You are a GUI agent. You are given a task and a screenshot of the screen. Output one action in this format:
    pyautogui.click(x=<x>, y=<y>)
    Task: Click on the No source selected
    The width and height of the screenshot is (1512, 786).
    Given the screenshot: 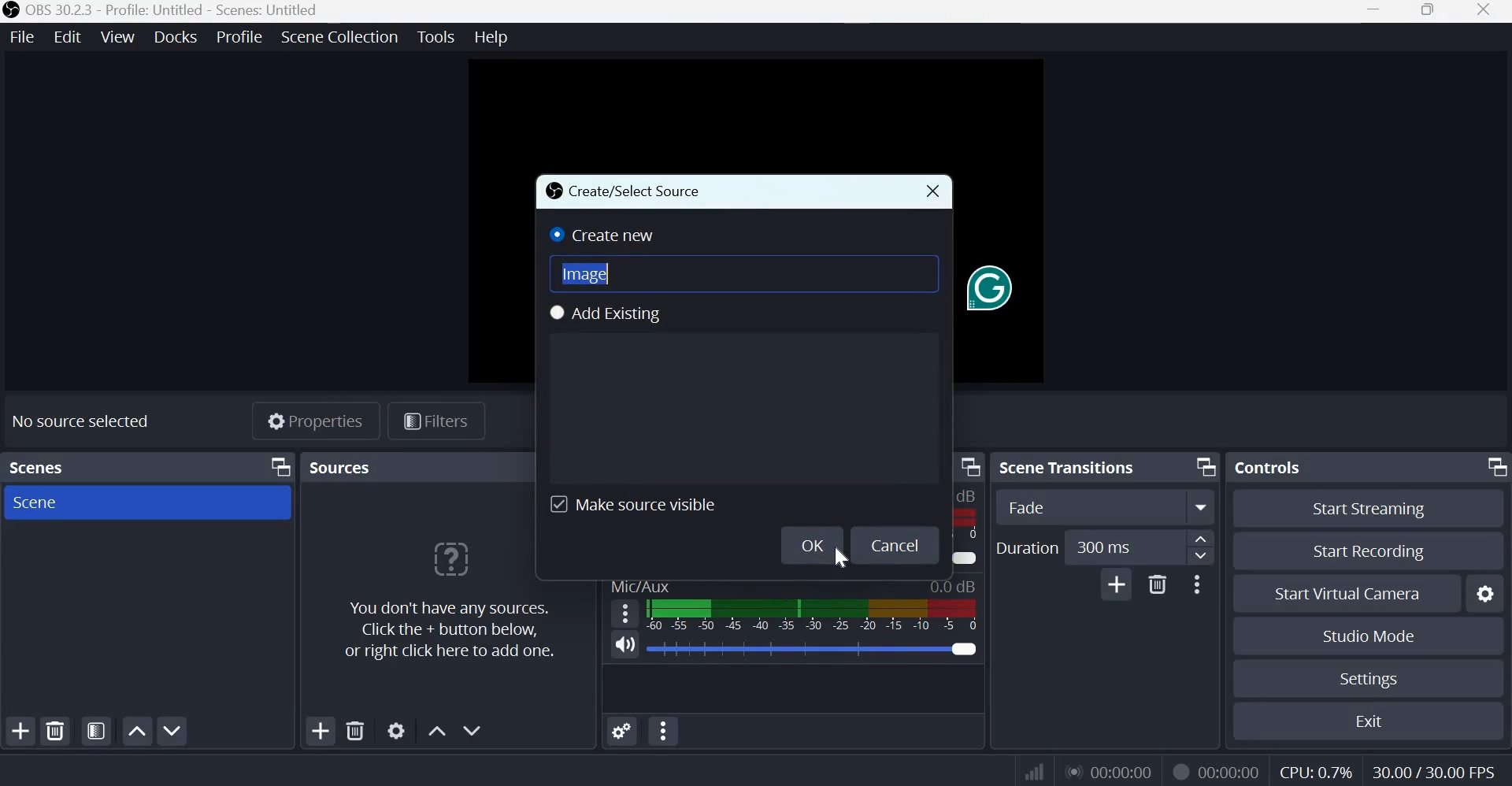 What is the action you would take?
    pyautogui.click(x=87, y=424)
    